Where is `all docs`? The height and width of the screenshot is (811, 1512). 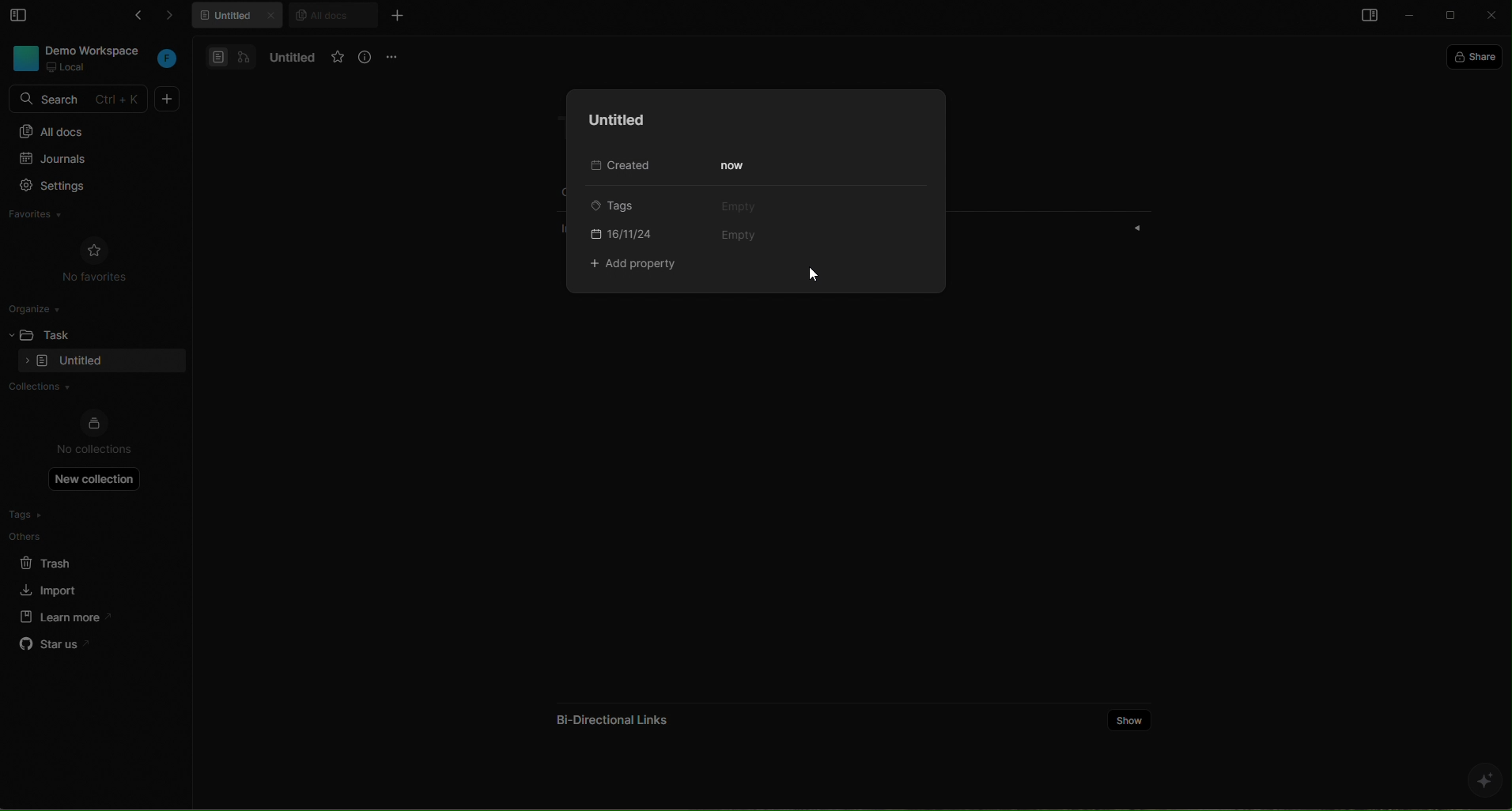 all docs is located at coordinates (332, 14).